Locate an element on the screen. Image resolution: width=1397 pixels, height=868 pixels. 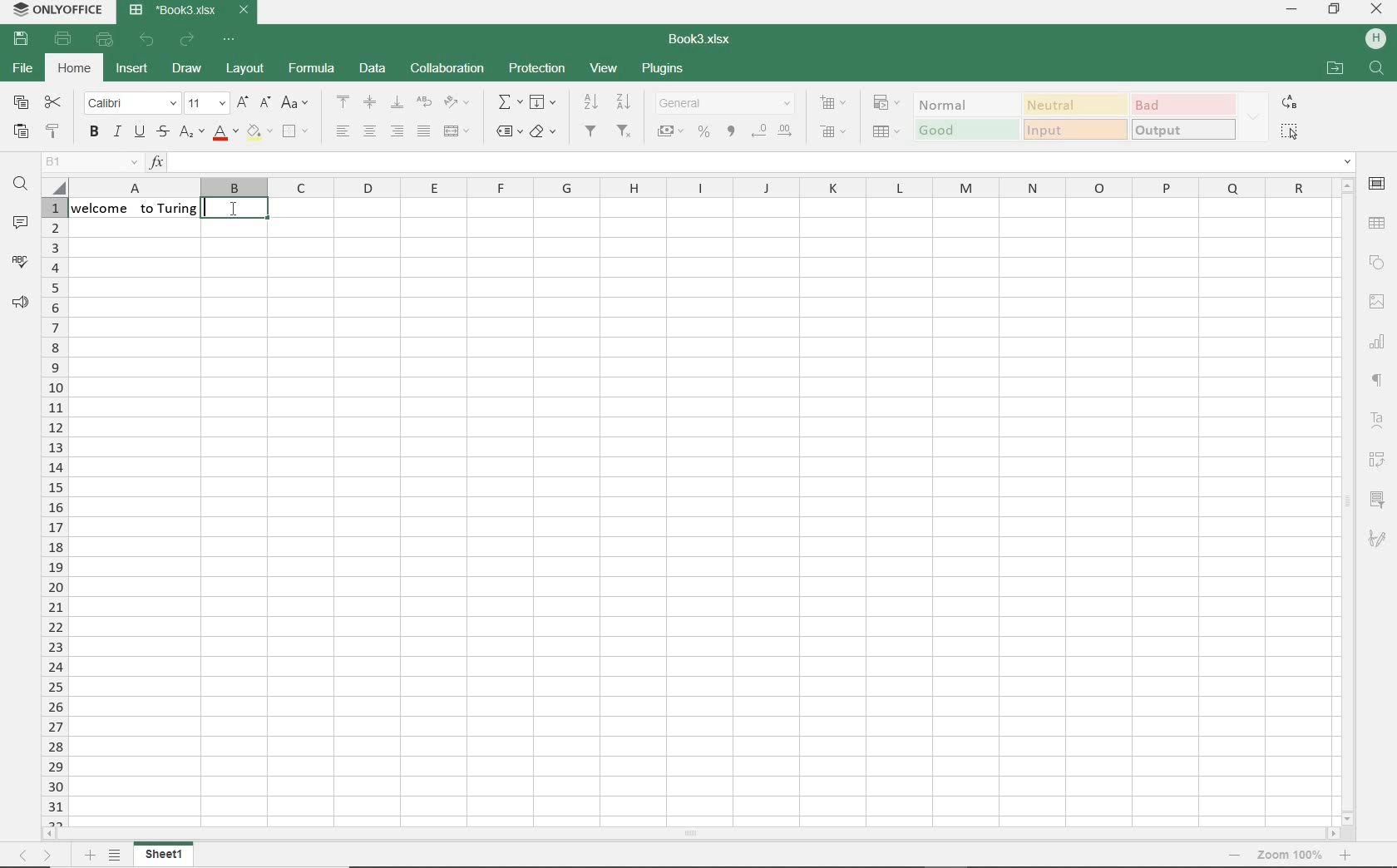
copy style is located at coordinates (54, 133).